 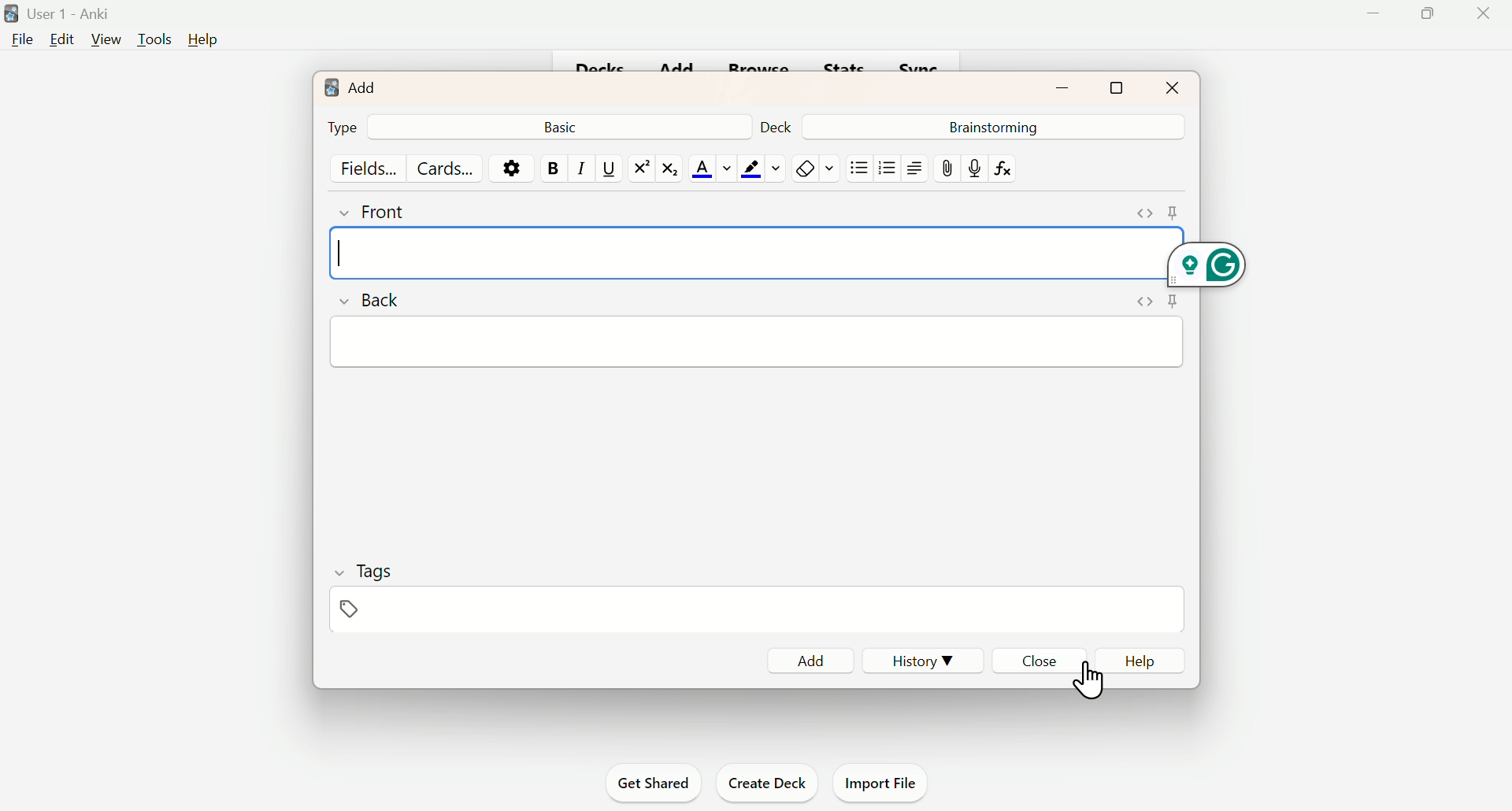 What do you see at coordinates (445, 168) in the screenshot?
I see `Cards` at bounding box center [445, 168].